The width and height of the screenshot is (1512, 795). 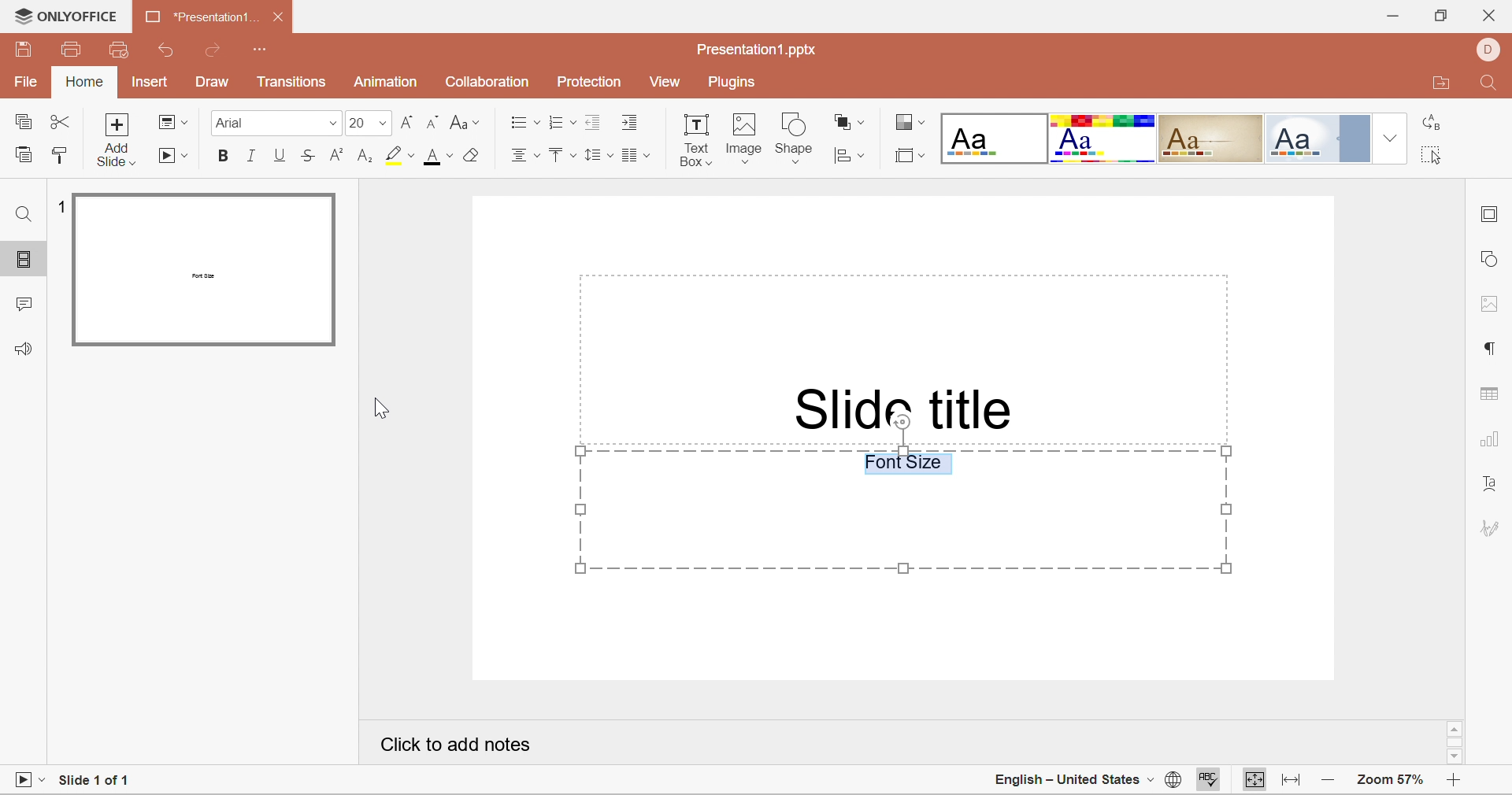 I want to click on Bold, so click(x=224, y=156).